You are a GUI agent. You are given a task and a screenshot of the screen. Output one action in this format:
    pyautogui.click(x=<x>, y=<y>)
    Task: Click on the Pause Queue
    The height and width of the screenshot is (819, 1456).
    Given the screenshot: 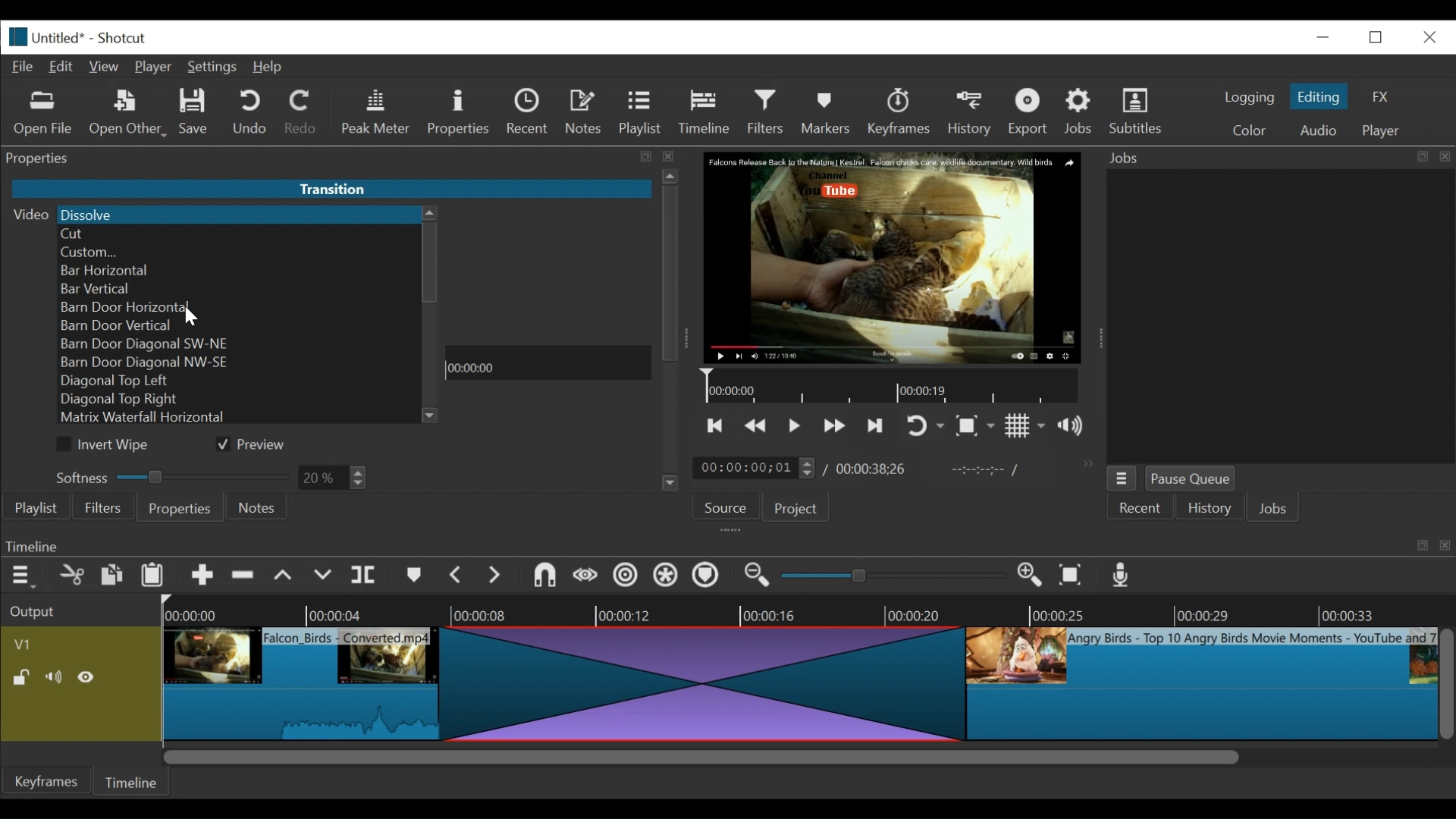 What is the action you would take?
    pyautogui.click(x=1191, y=482)
    